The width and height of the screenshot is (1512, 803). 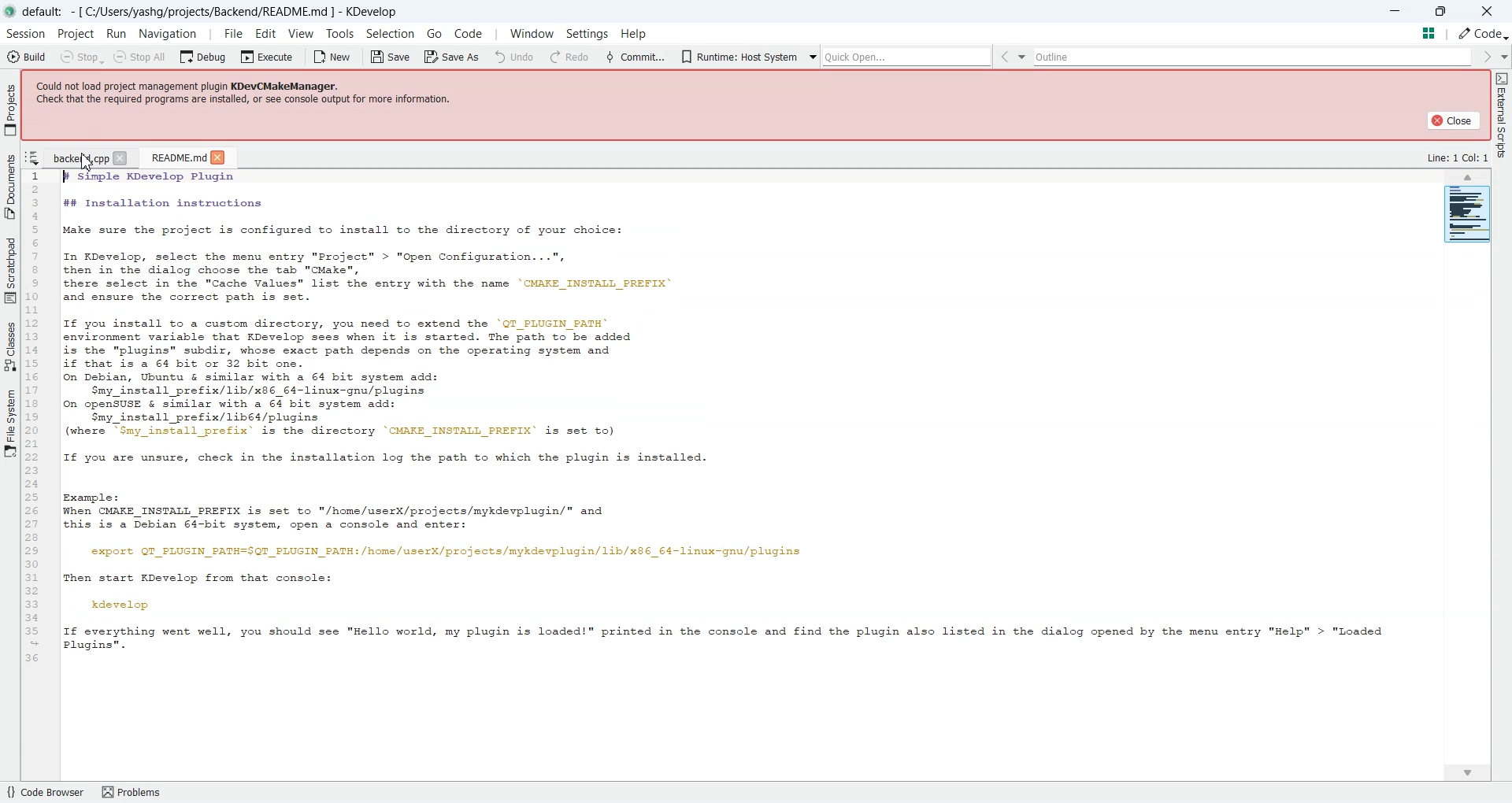 What do you see at coordinates (137, 791) in the screenshot?
I see `Problems` at bounding box center [137, 791].